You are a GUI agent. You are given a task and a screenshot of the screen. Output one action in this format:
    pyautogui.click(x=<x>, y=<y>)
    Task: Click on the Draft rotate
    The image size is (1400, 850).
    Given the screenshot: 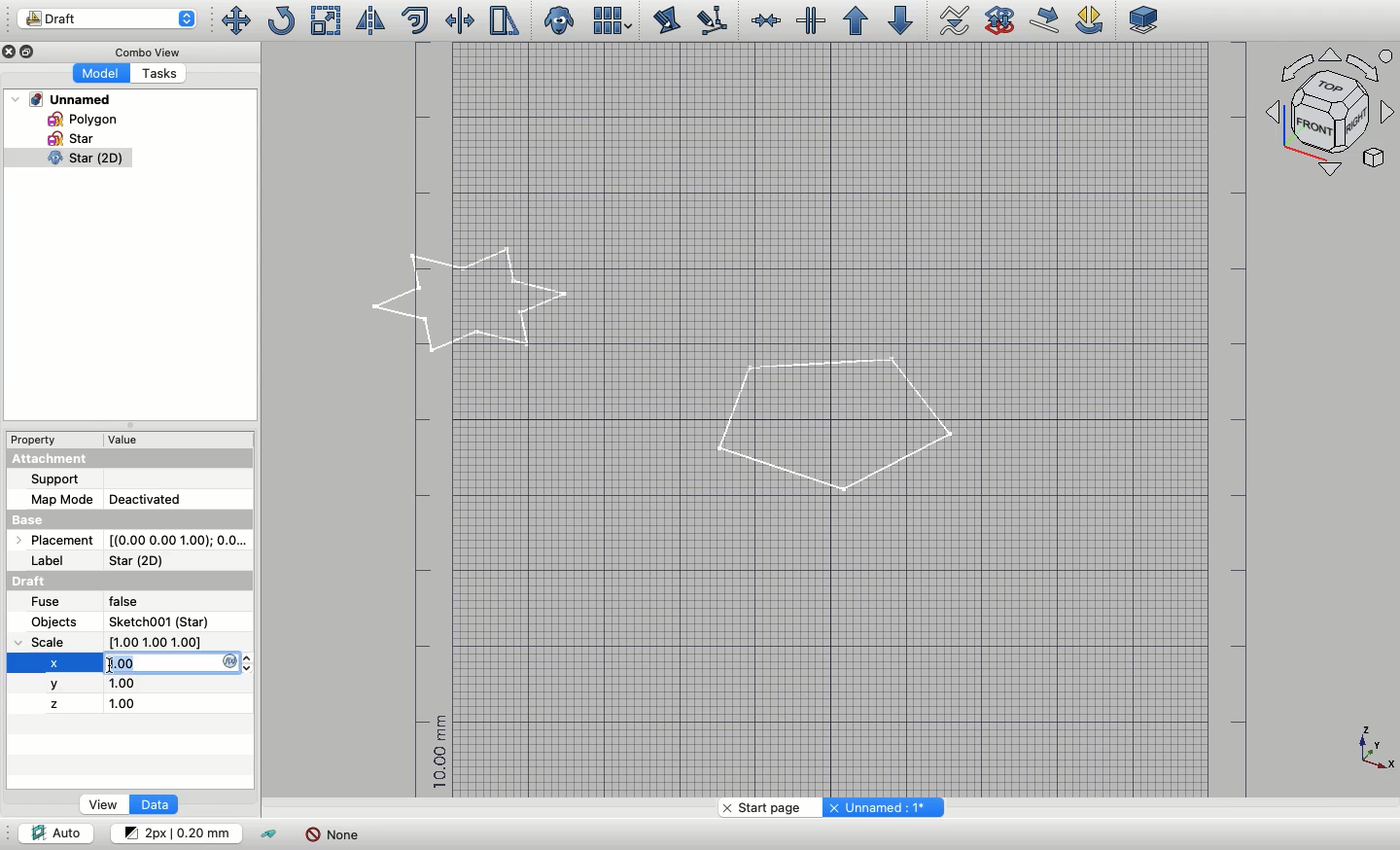 What is the action you would take?
    pyautogui.click(x=1090, y=21)
    